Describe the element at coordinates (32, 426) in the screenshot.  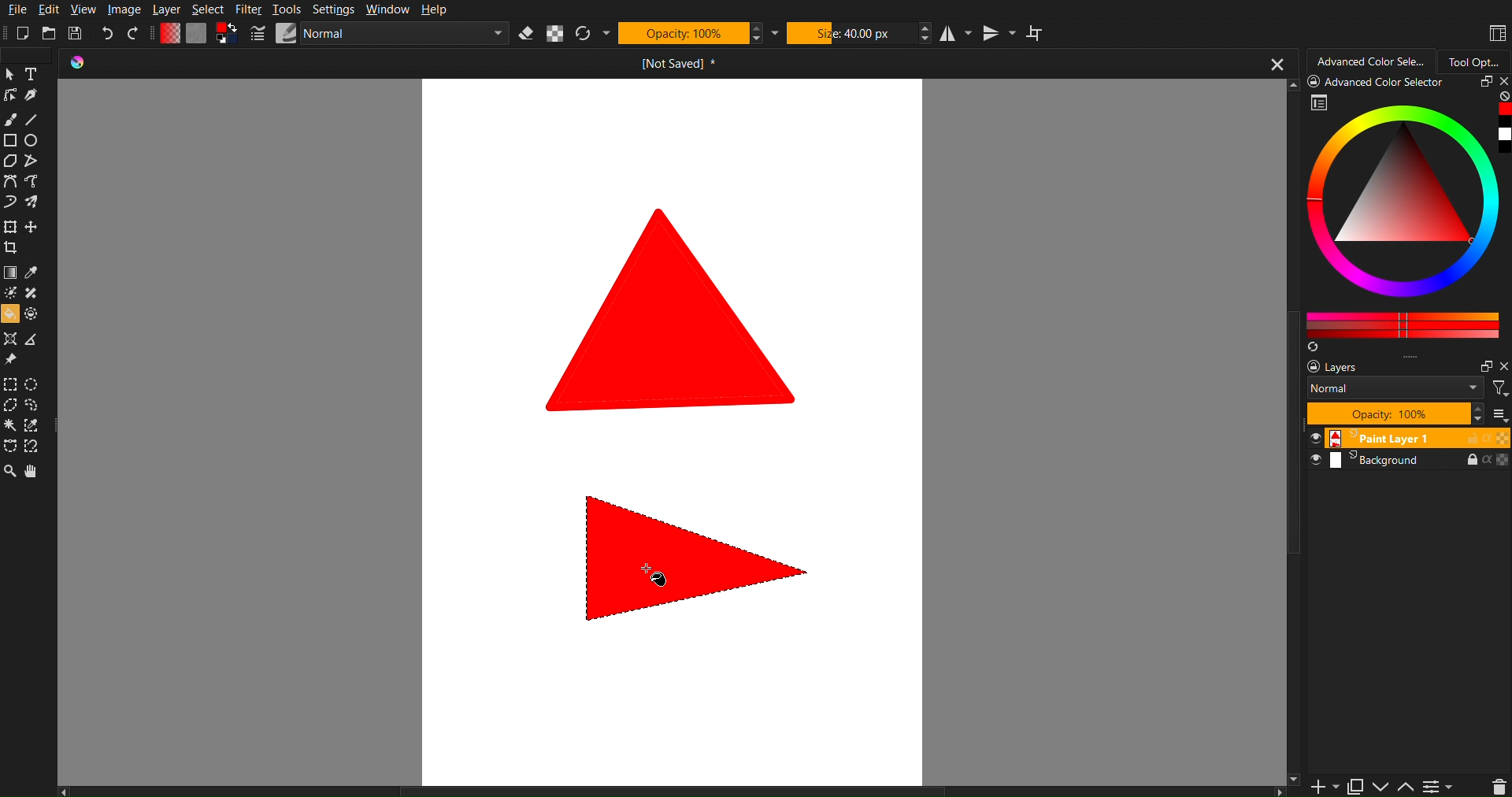
I see `Selection dropper` at that location.